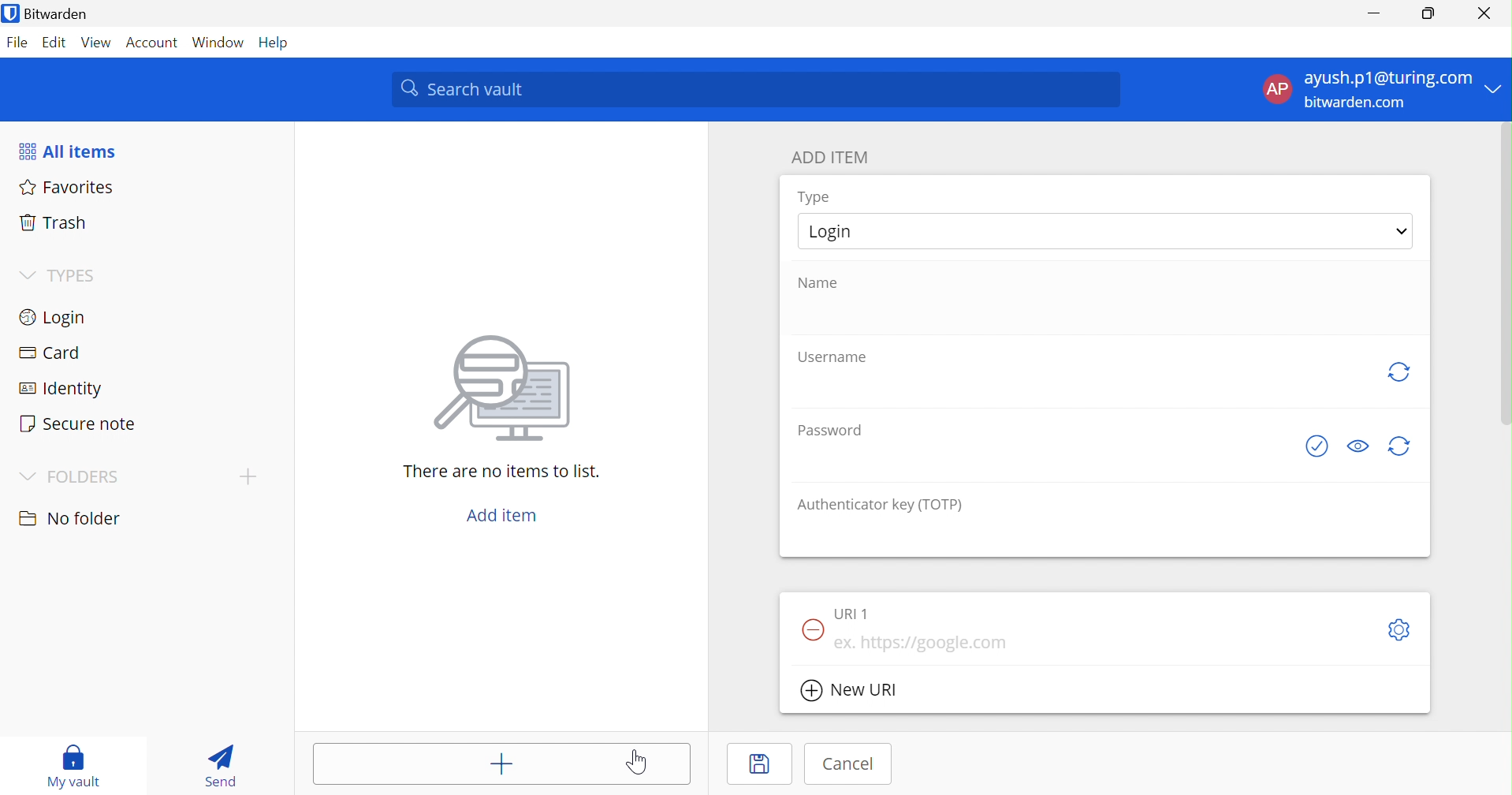 This screenshot has height=795, width=1512. I want to click on generate username, so click(1400, 370).